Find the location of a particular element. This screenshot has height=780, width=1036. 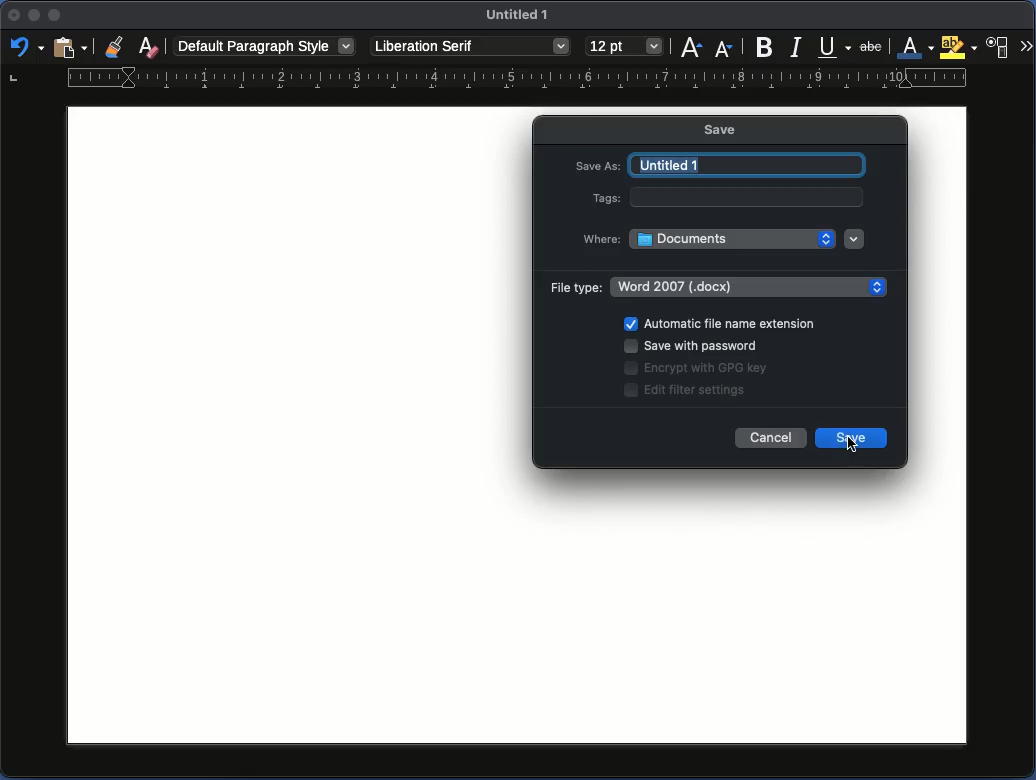

More is located at coordinates (1026, 47).